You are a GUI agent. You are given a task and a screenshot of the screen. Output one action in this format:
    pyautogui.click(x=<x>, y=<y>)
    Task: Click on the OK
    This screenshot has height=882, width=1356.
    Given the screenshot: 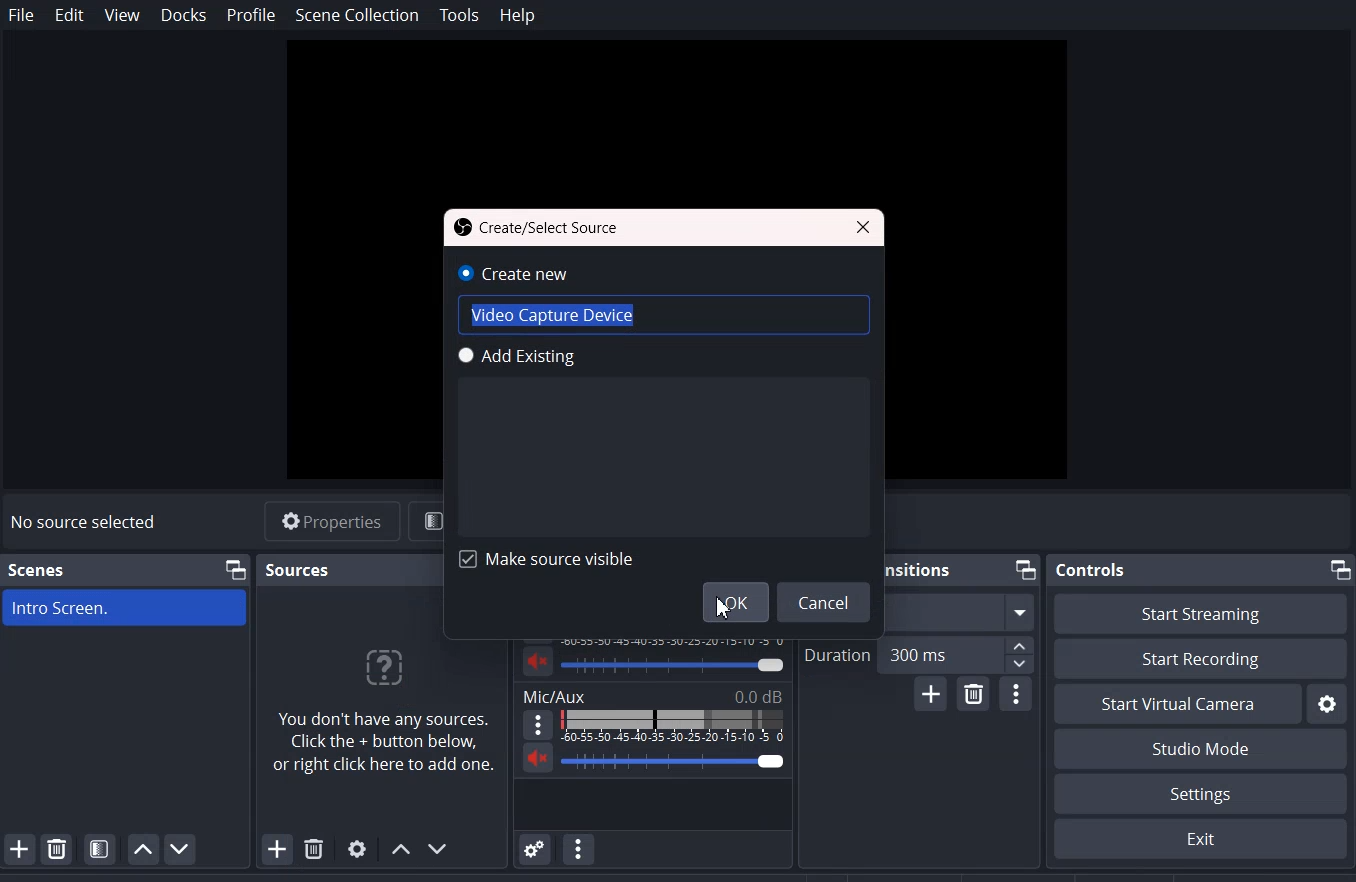 What is the action you would take?
    pyautogui.click(x=735, y=601)
    